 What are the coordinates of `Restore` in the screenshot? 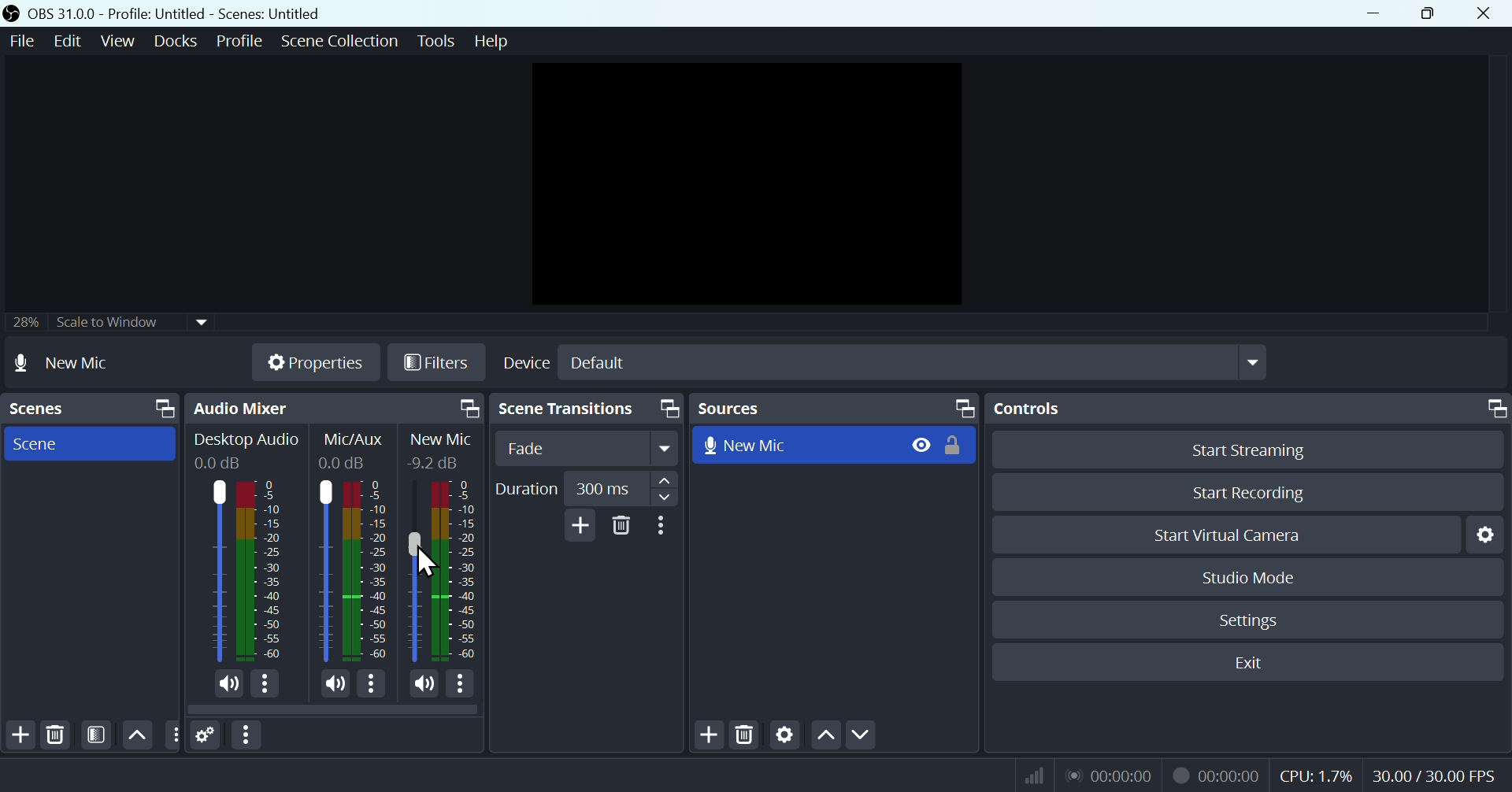 It's located at (1432, 13).